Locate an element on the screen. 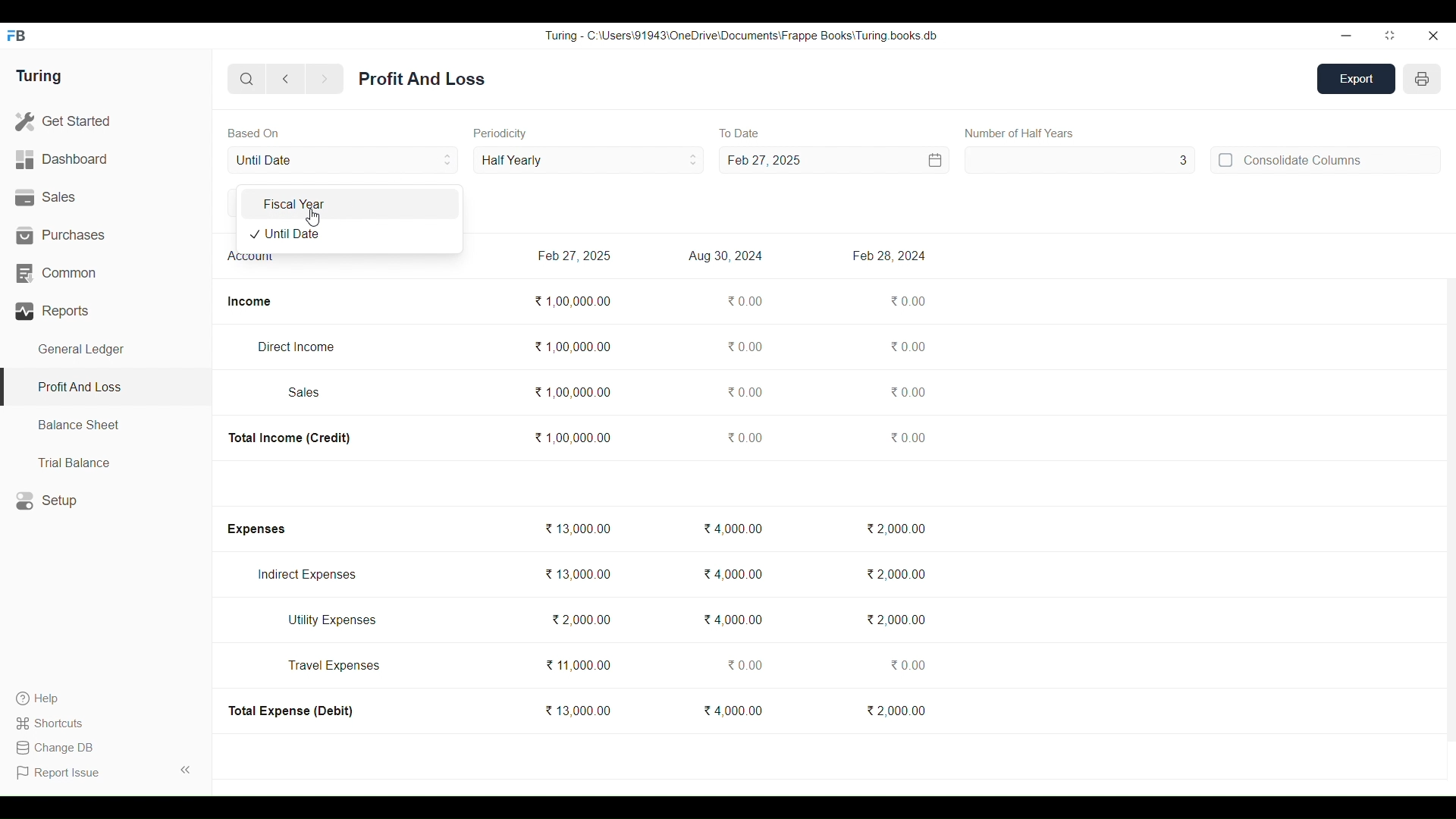 This screenshot has width=1456, height=819. Utility Expenses is located at coordinates (334, 620).